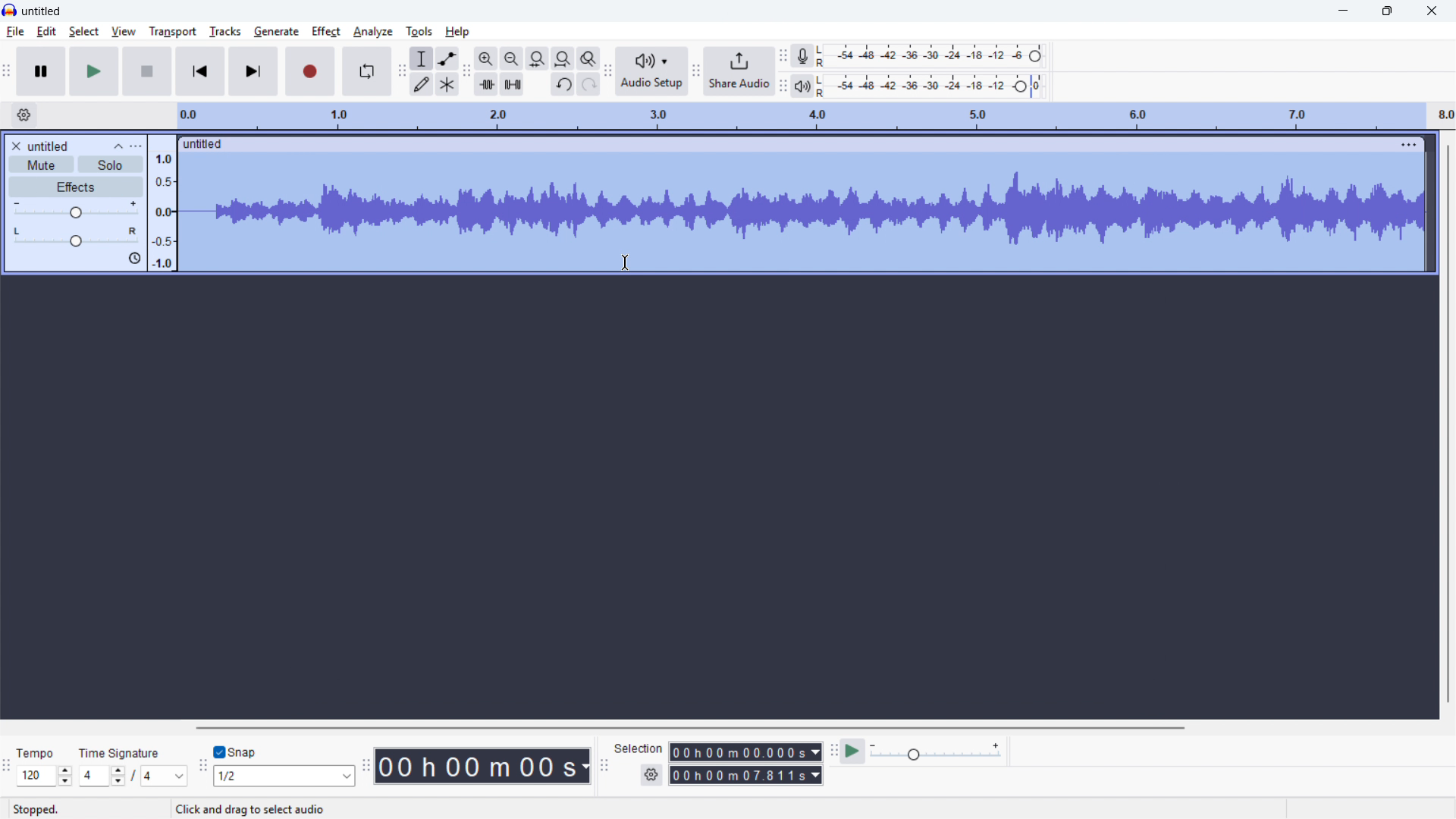 This screenshot has width=1456, height=819. I want to click on Selection toolbar , so click(604, 768).